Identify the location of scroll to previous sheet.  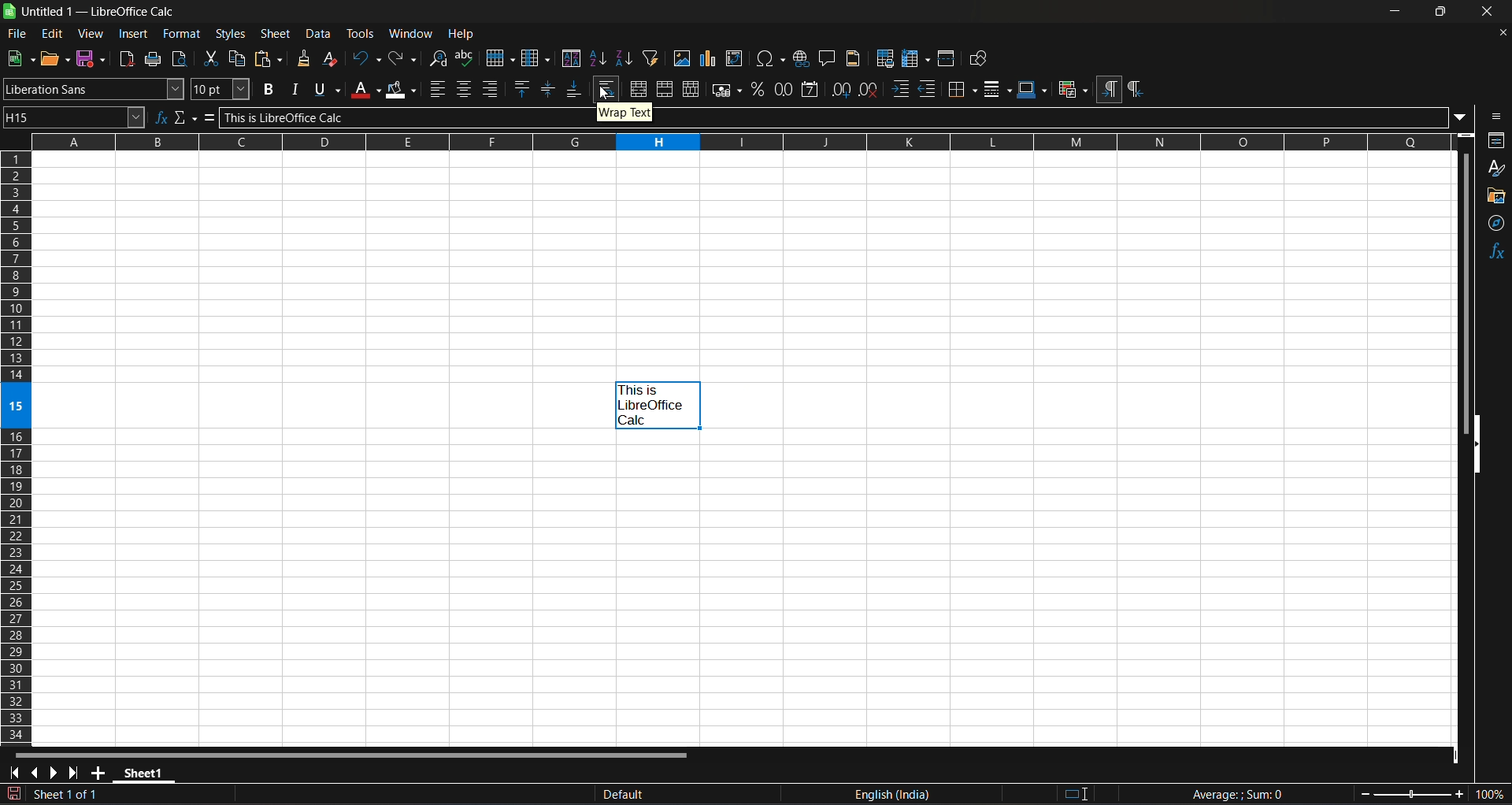
(35, 772).